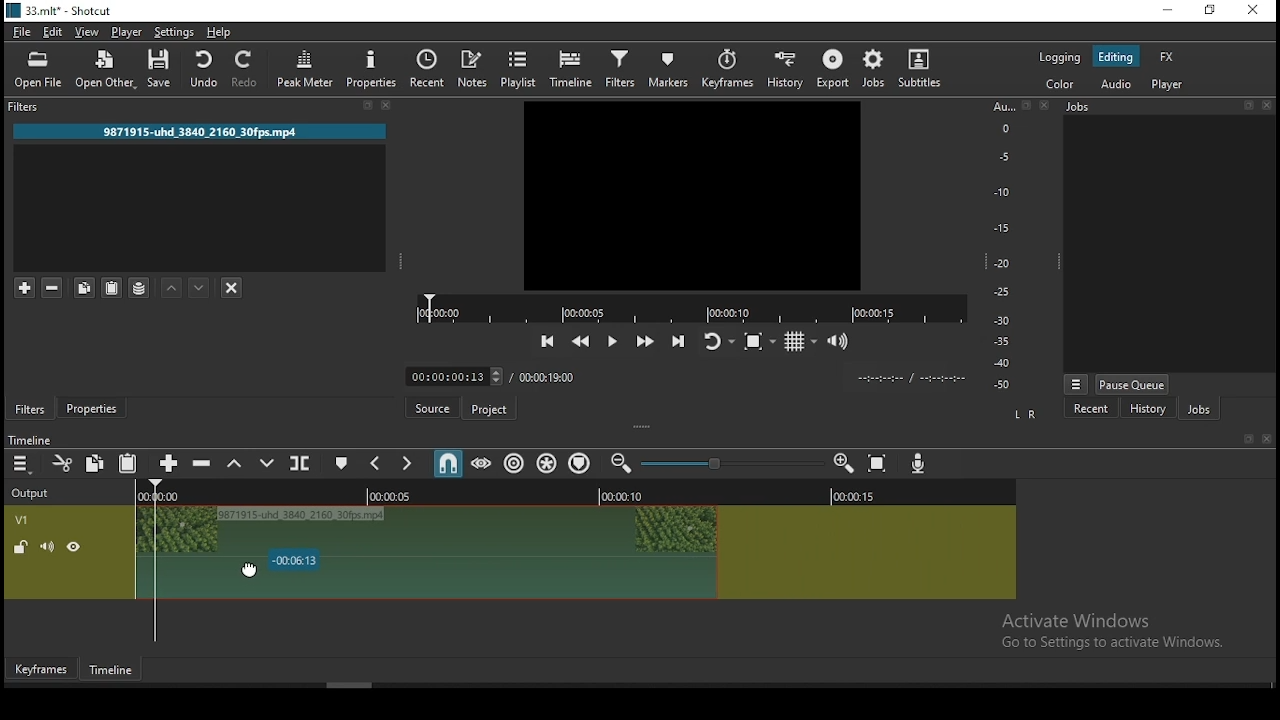 The height and width of the screenshot is (720, 1280). I want to click on copy, so click(94, 461).